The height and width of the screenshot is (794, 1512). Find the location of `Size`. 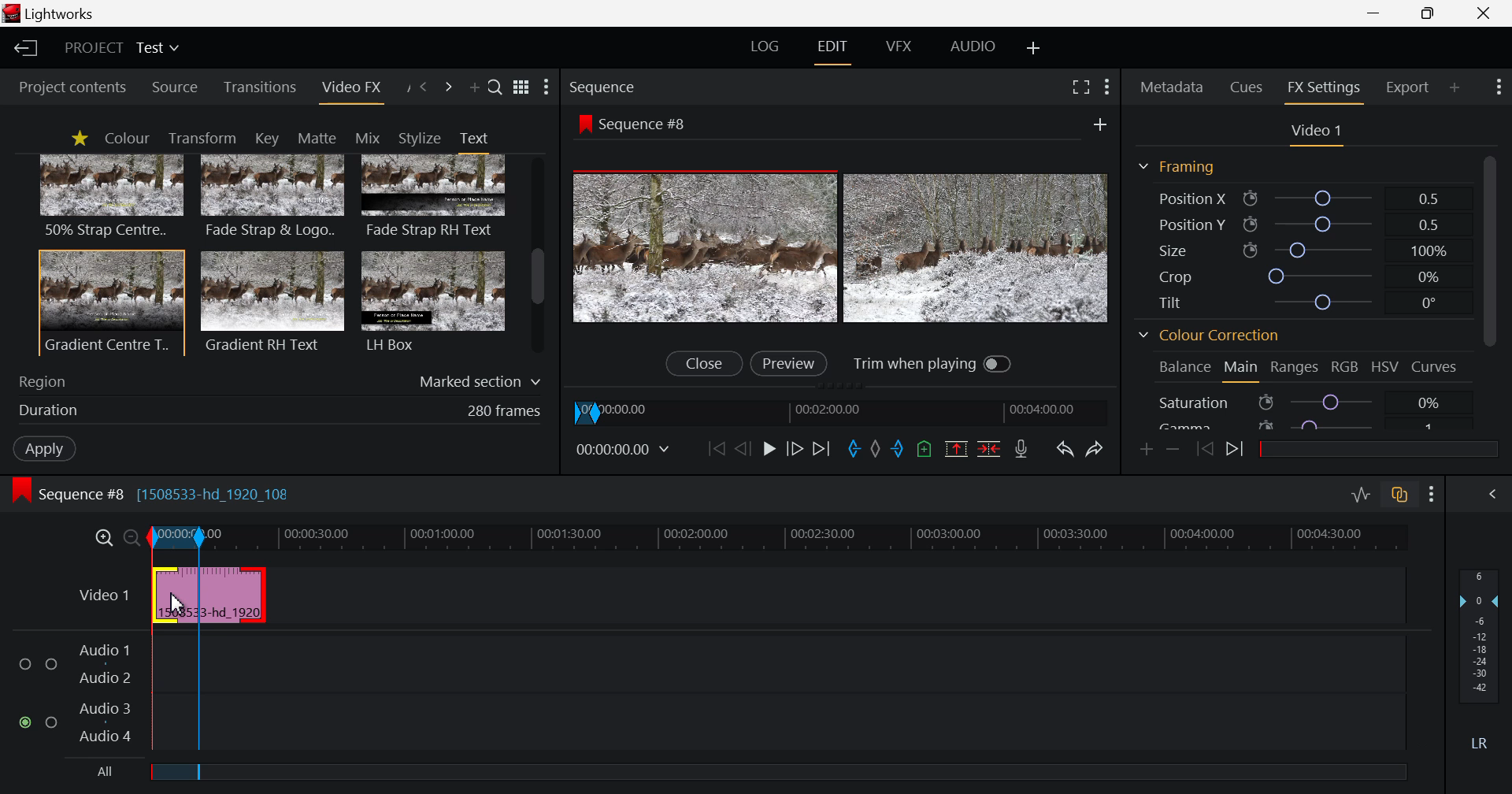

Size is located at coordinates (1300, 248).